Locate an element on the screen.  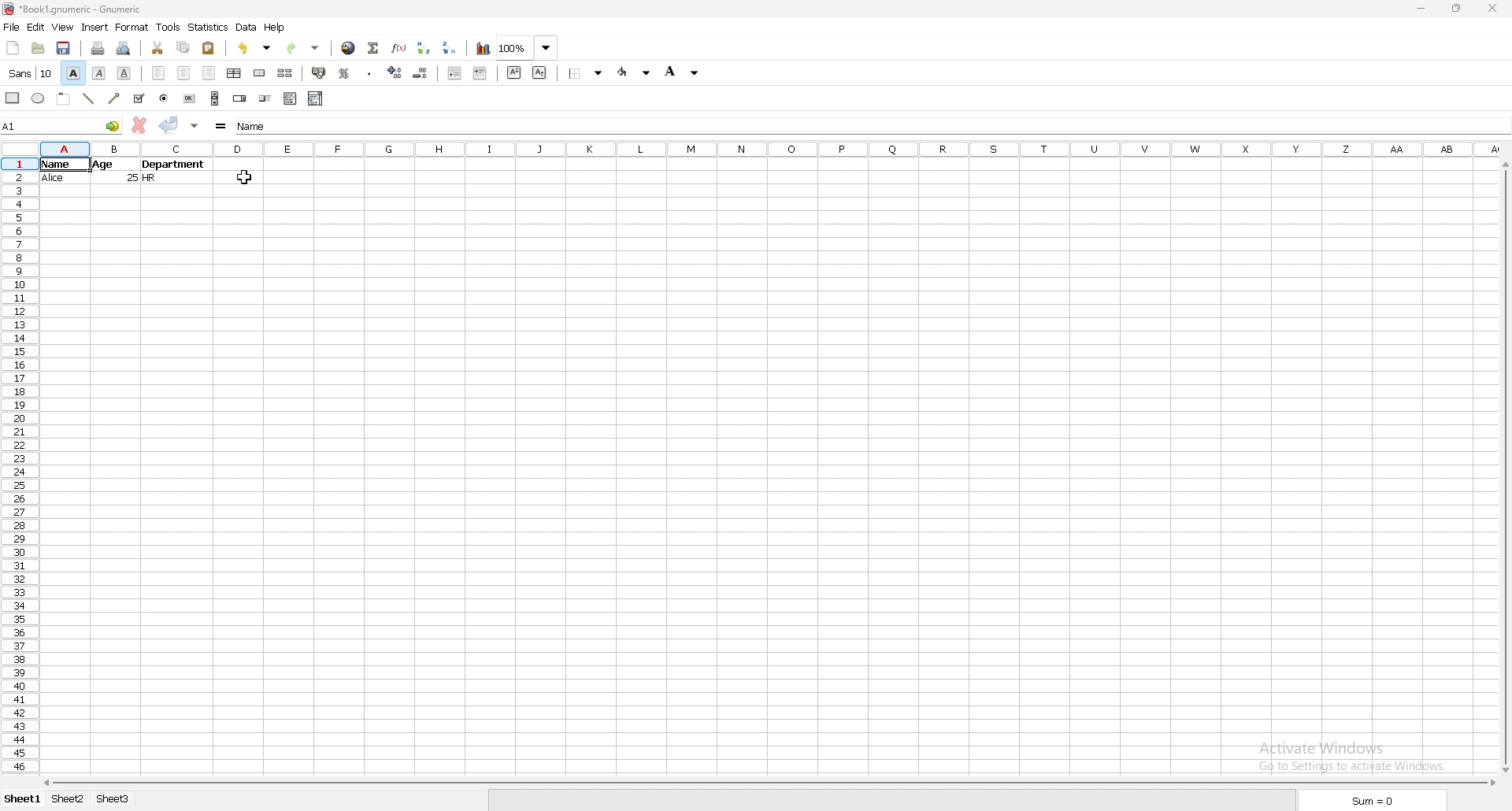
accounting is located at coordinates (318, 72).